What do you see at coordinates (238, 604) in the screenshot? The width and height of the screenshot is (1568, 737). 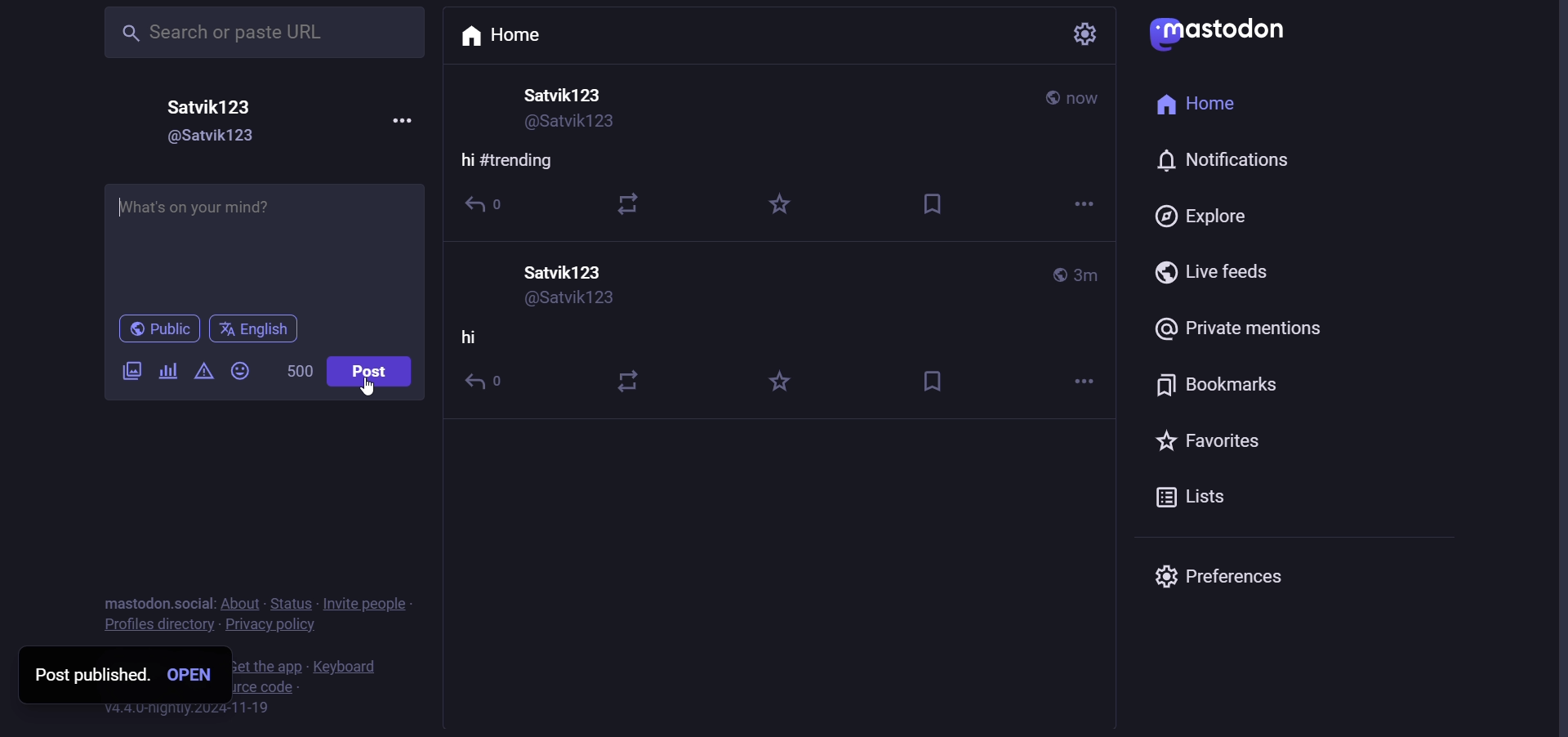 I see `about` at bounding box center [238, 604].